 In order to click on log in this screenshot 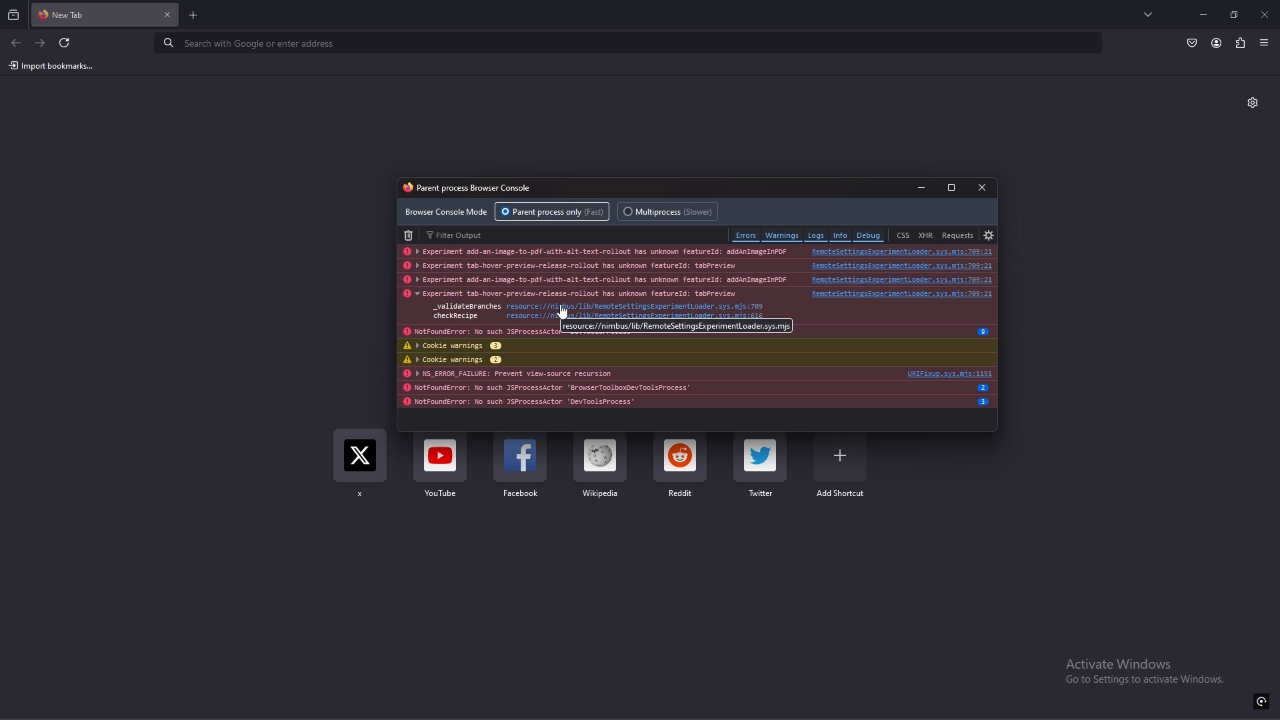, I will do `click(593, 266)`.